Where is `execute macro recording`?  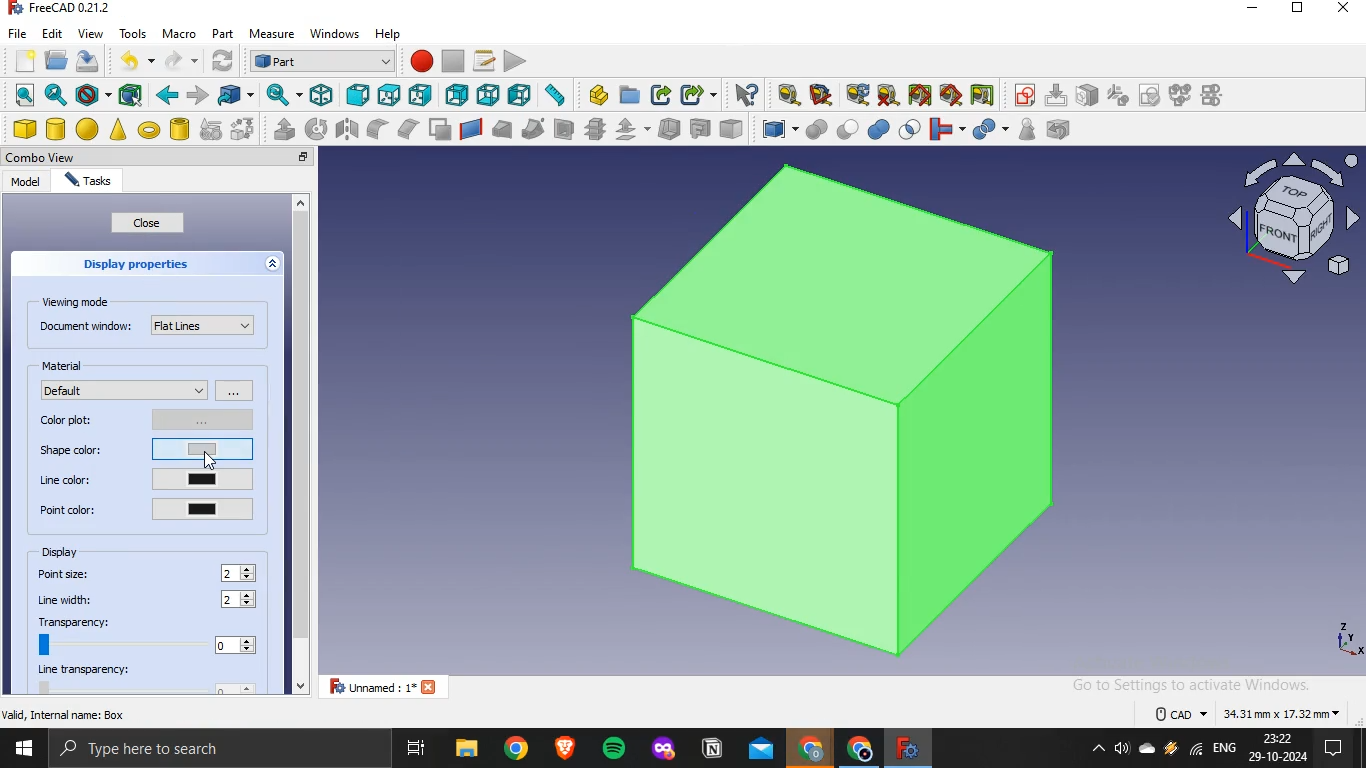
execute macro recording is located at coordinates (516, 60).